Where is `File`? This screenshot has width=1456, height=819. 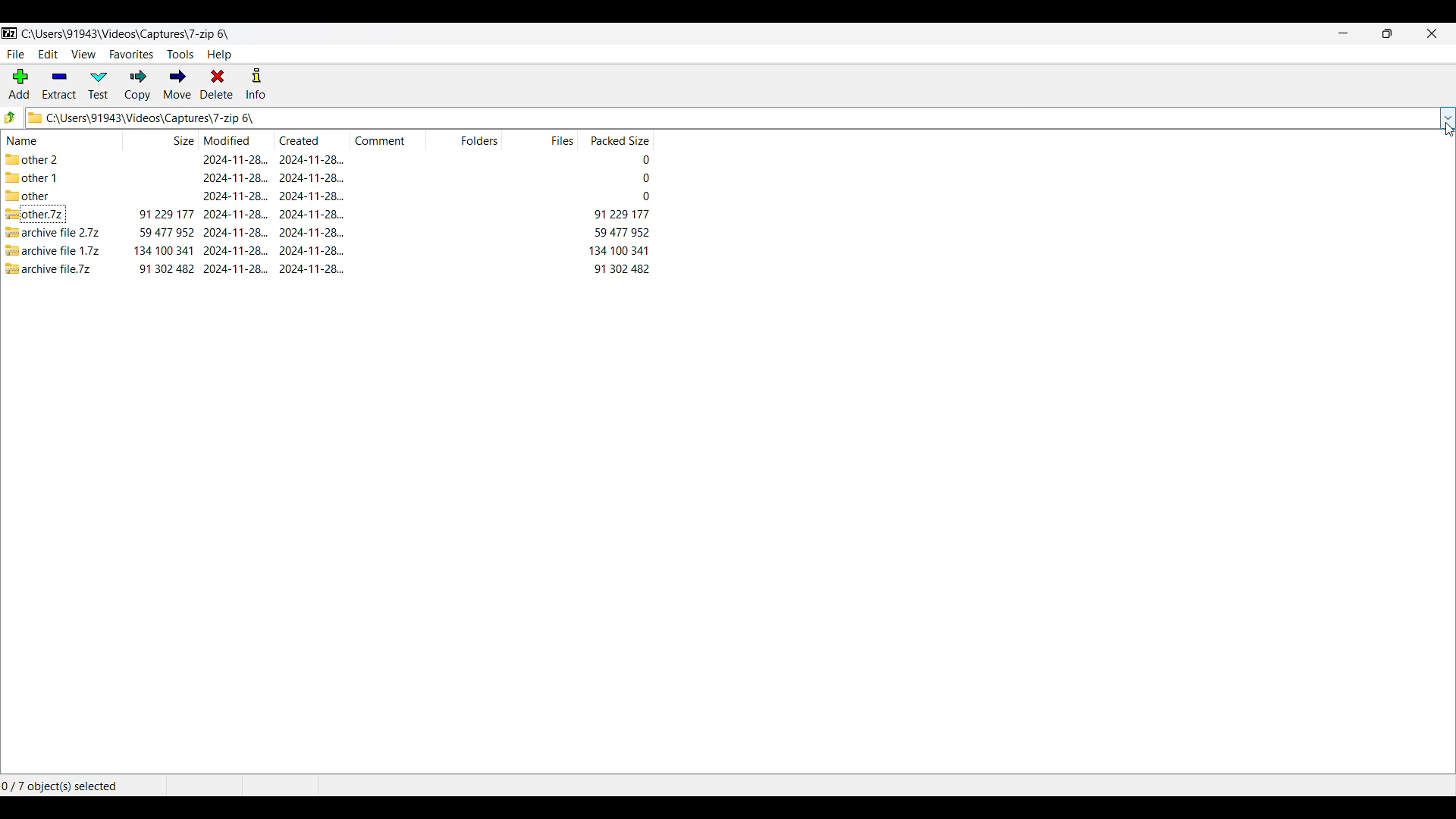 File is located at coordinates (16, 55).